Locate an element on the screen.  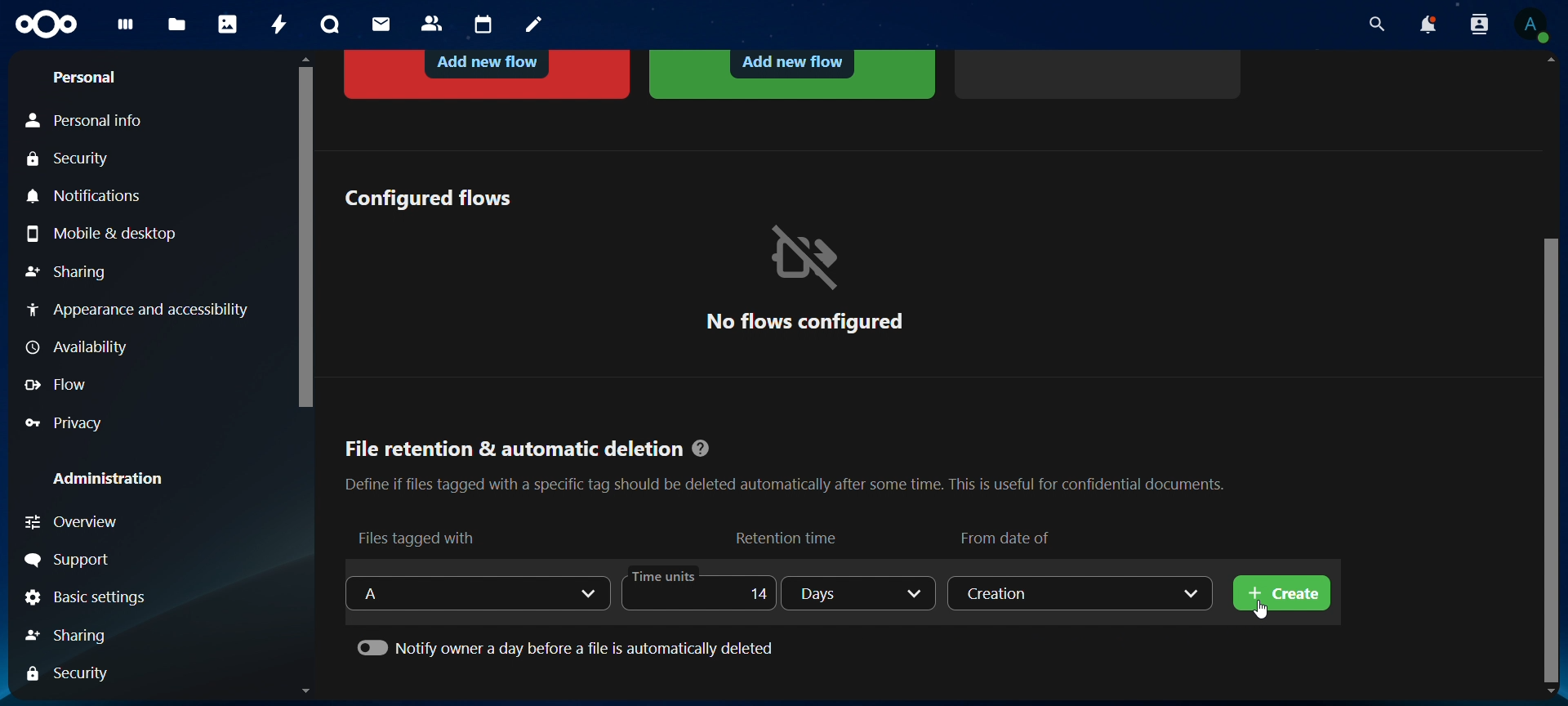
administration is located at coordinates (109, 478).